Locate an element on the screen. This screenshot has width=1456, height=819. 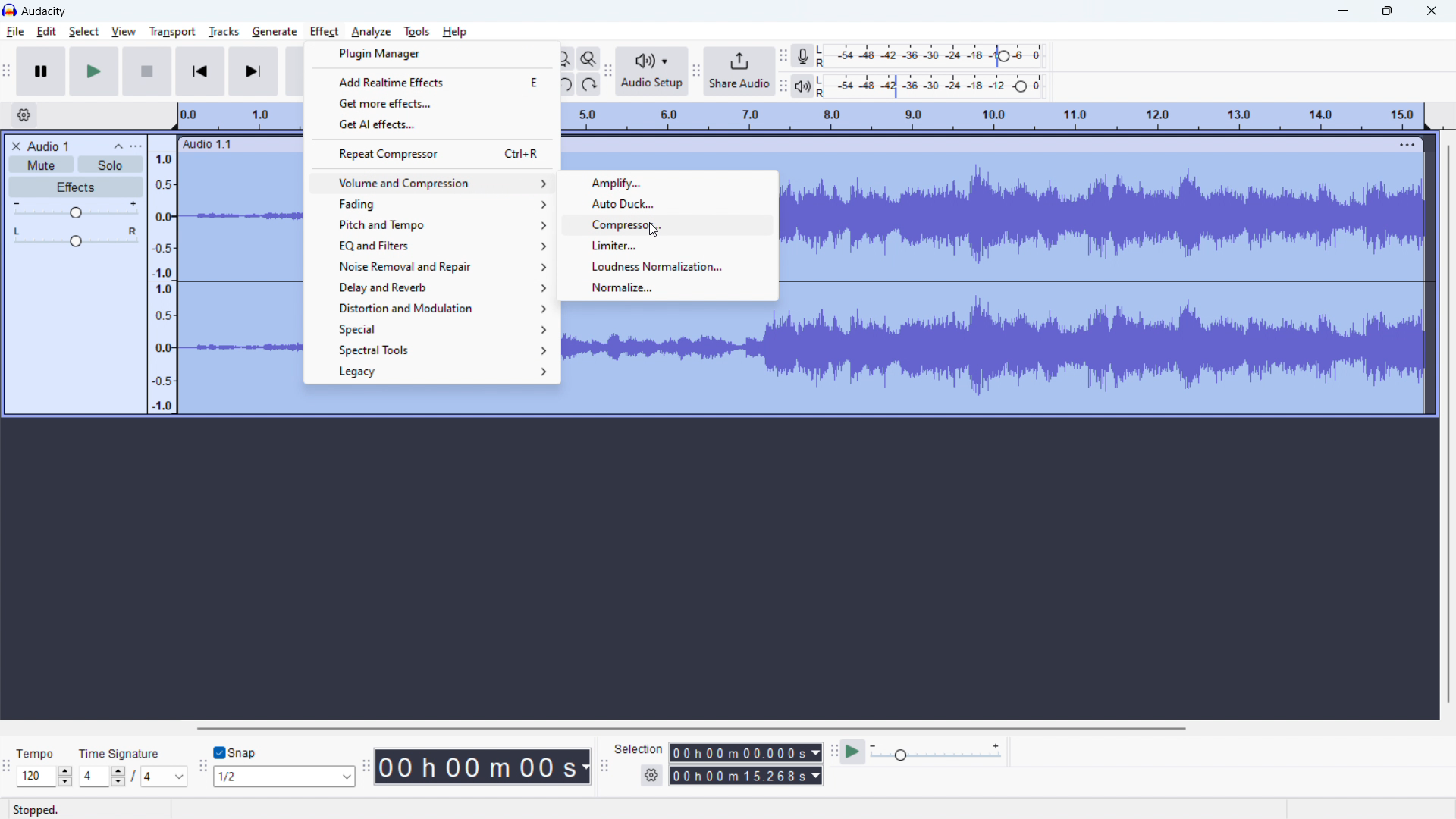
redo is located at coordinates (588, 84).